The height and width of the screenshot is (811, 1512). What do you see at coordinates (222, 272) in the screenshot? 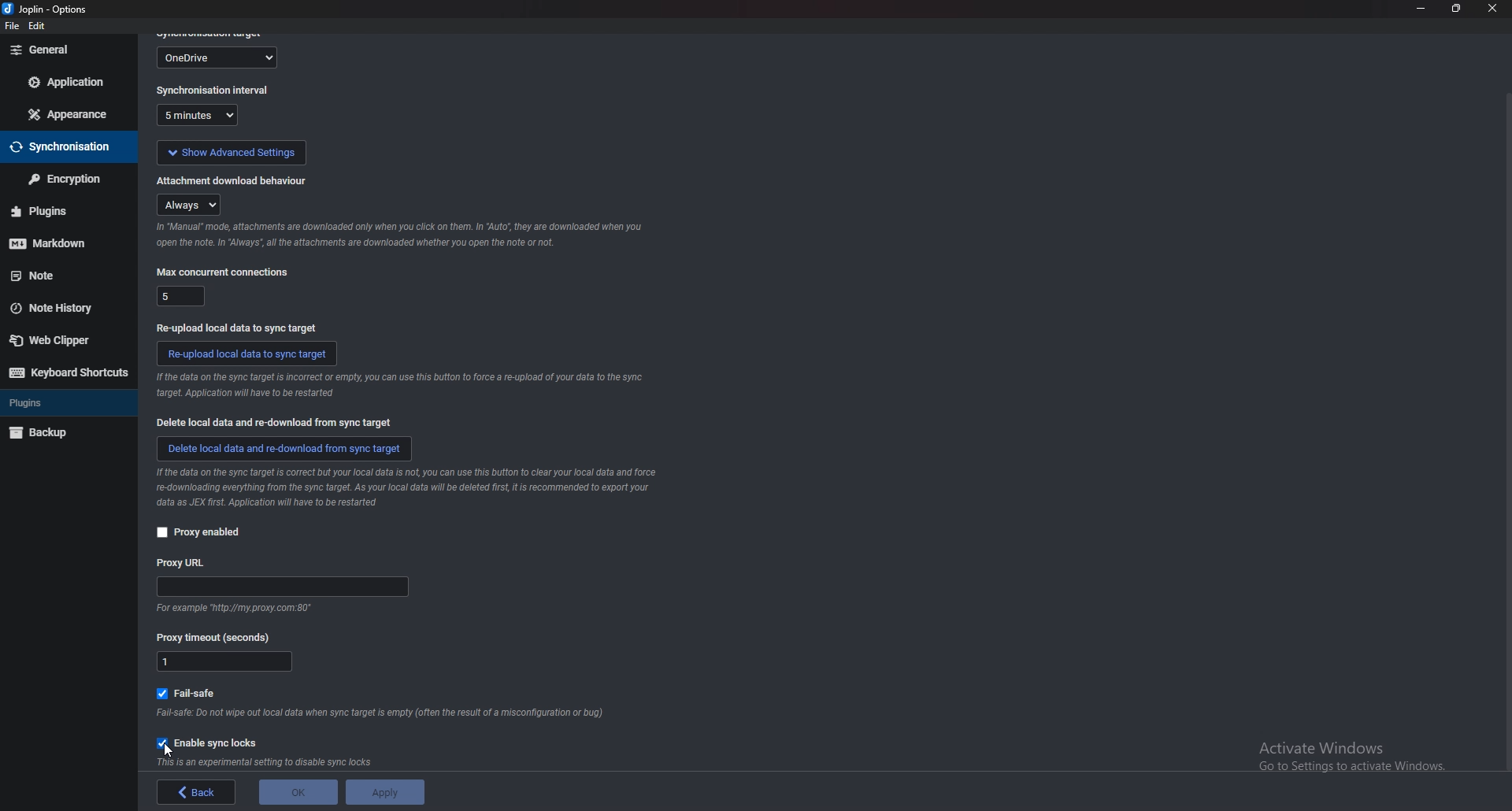
I see `max concurrent connections` at bounding box center [222, 272].